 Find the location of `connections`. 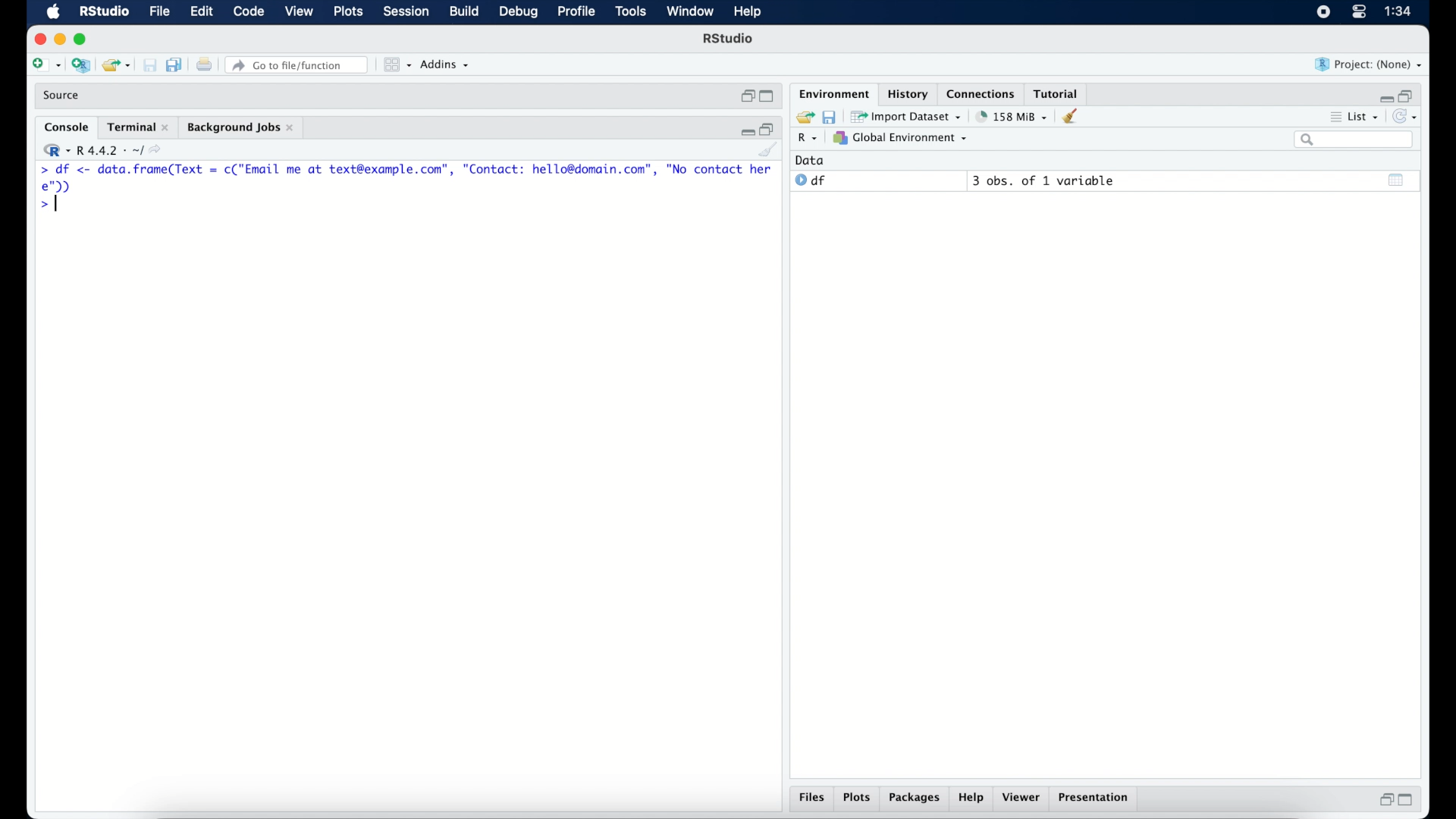

connections is located at coordinates (983, 93).